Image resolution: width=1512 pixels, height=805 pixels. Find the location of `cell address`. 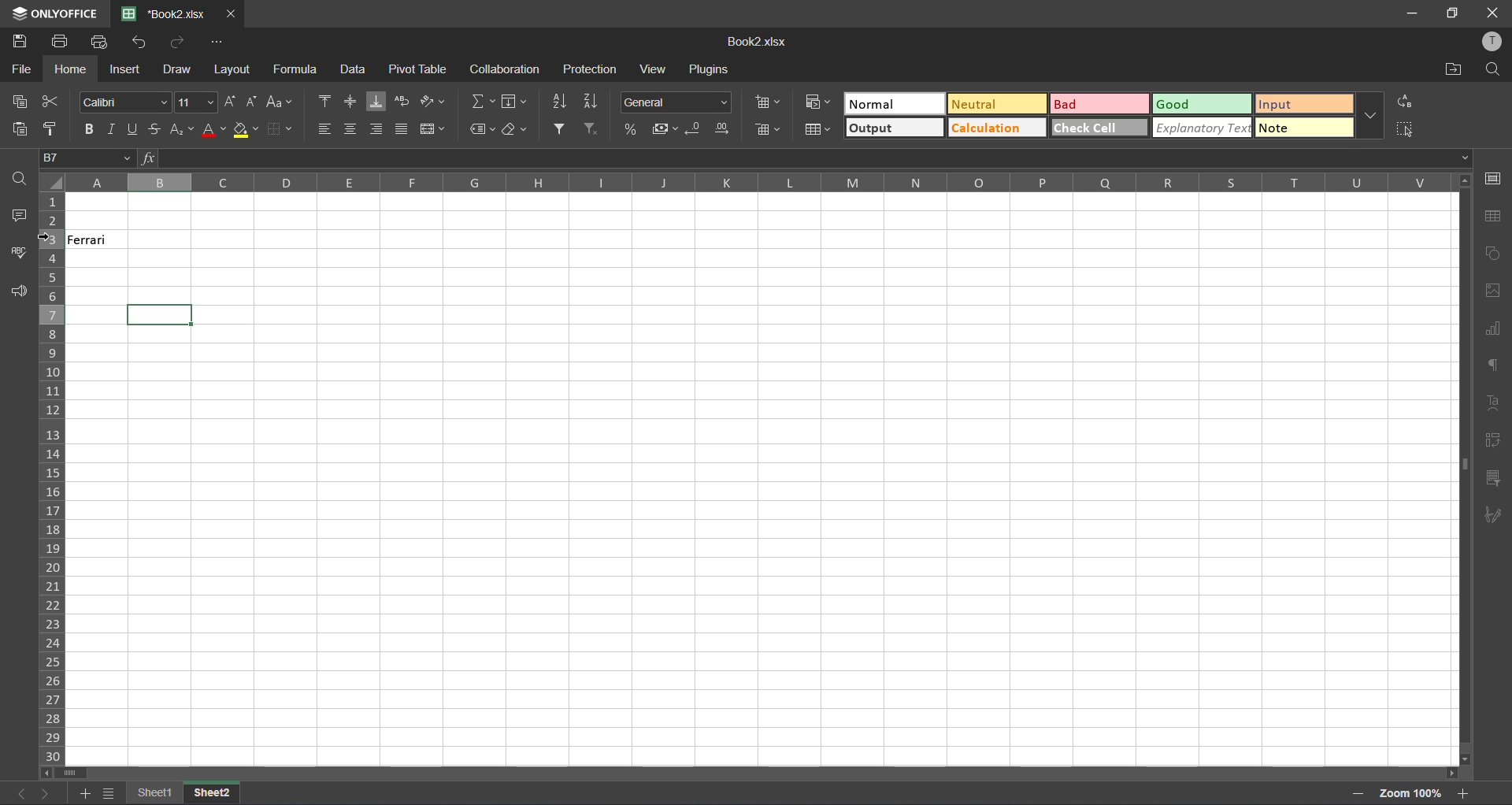

cell address is located at coordinates (87, 160).